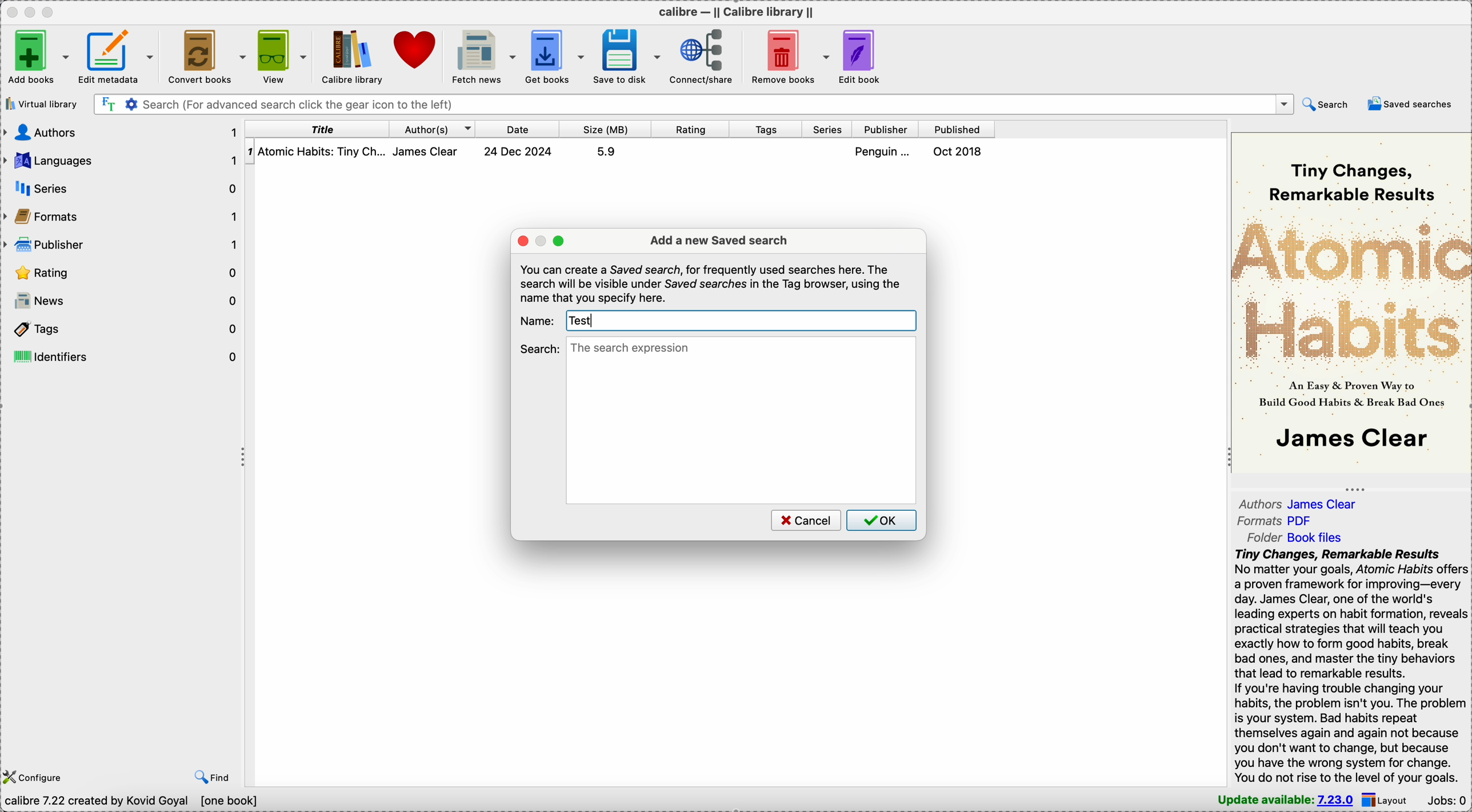 This screenshot has height=812, width=1472. Describe the element at coordinates (1304, 502) in the screenshot. I see `authors James Clear` at that location.